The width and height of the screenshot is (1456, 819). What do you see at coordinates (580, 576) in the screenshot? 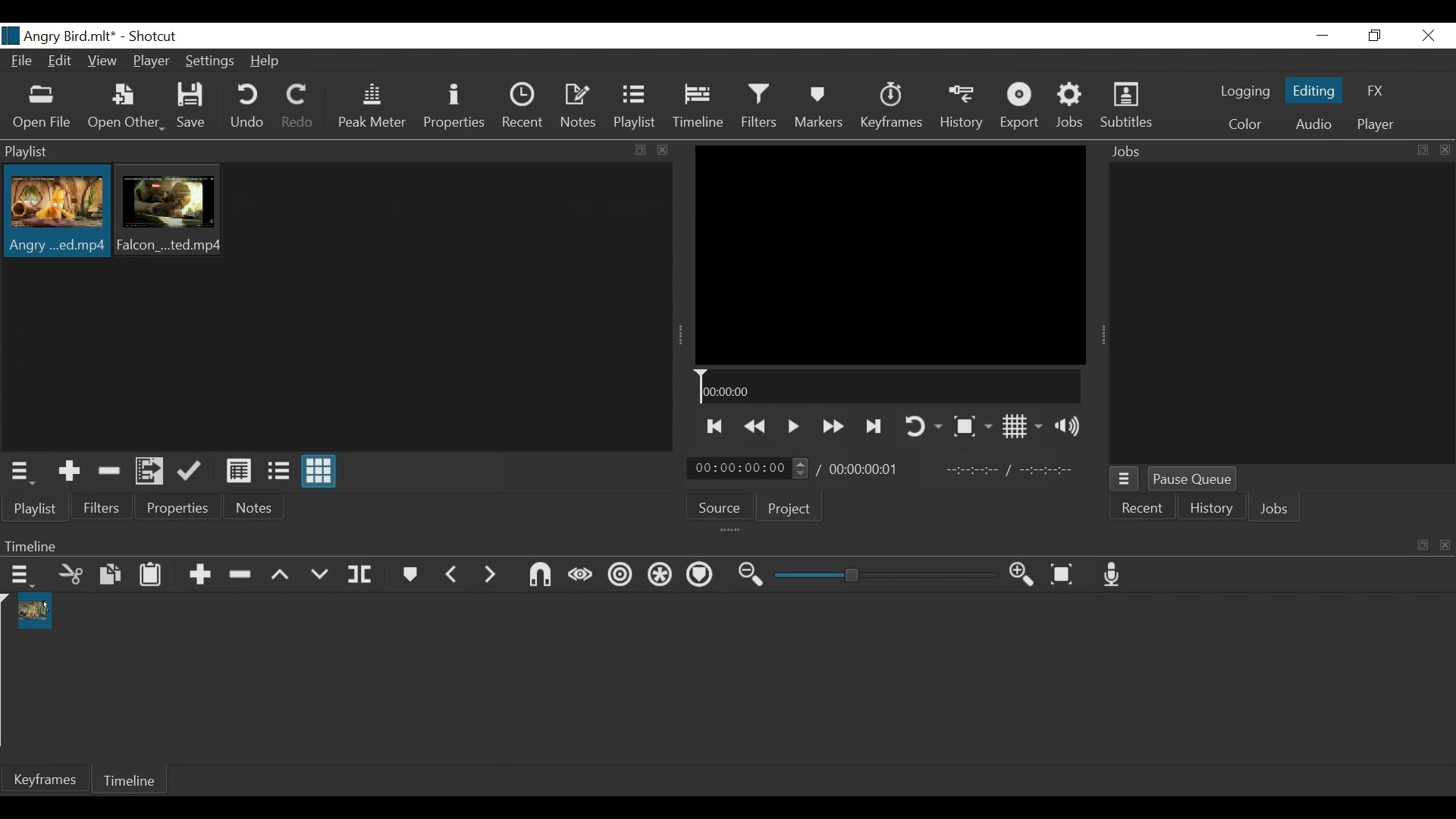
I see `Scrub while dragging` at bounding box center [580, 576].